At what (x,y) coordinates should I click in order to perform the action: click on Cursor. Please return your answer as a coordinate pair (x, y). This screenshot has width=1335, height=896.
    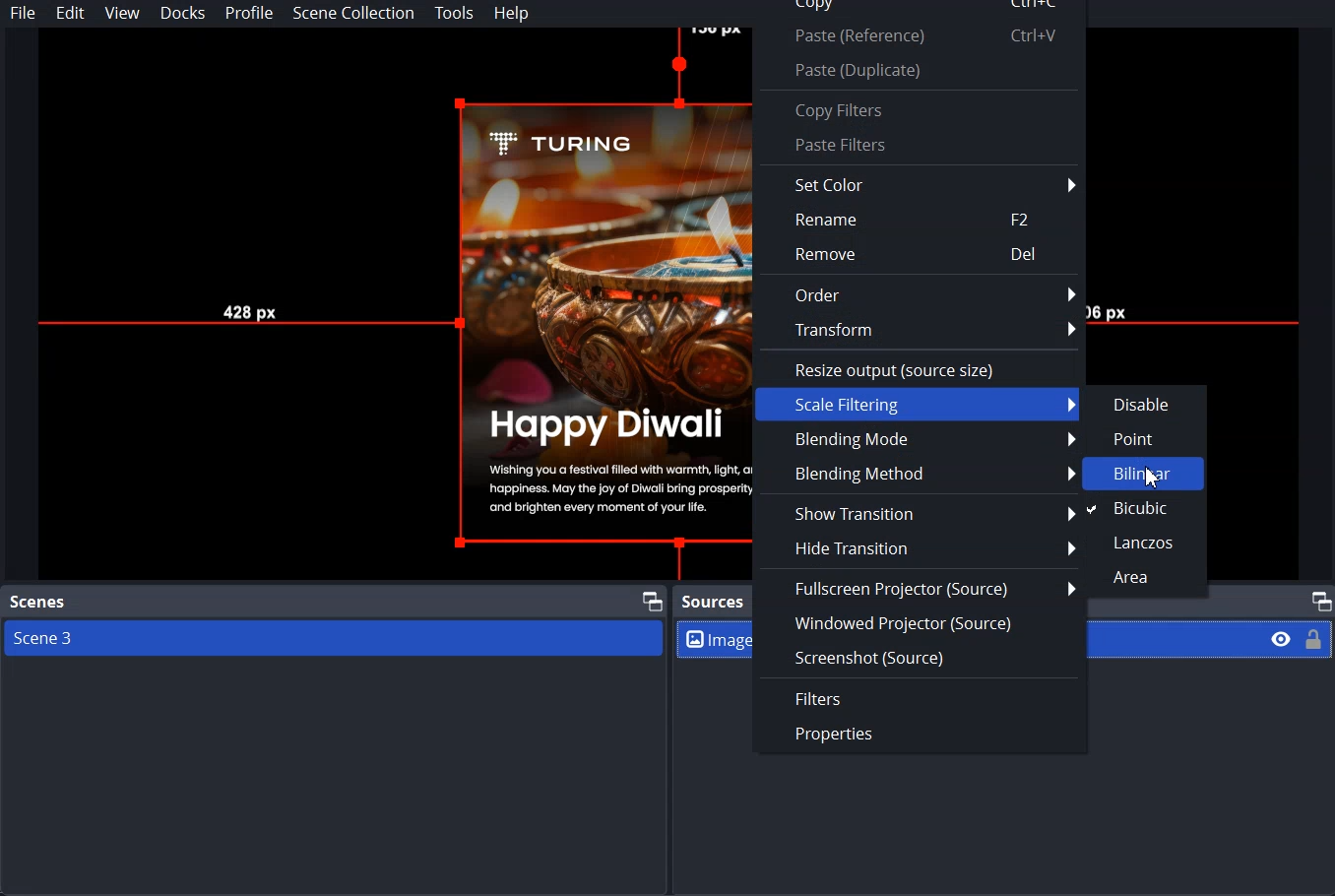
    Looking at the image, I should click on (1153, 475).